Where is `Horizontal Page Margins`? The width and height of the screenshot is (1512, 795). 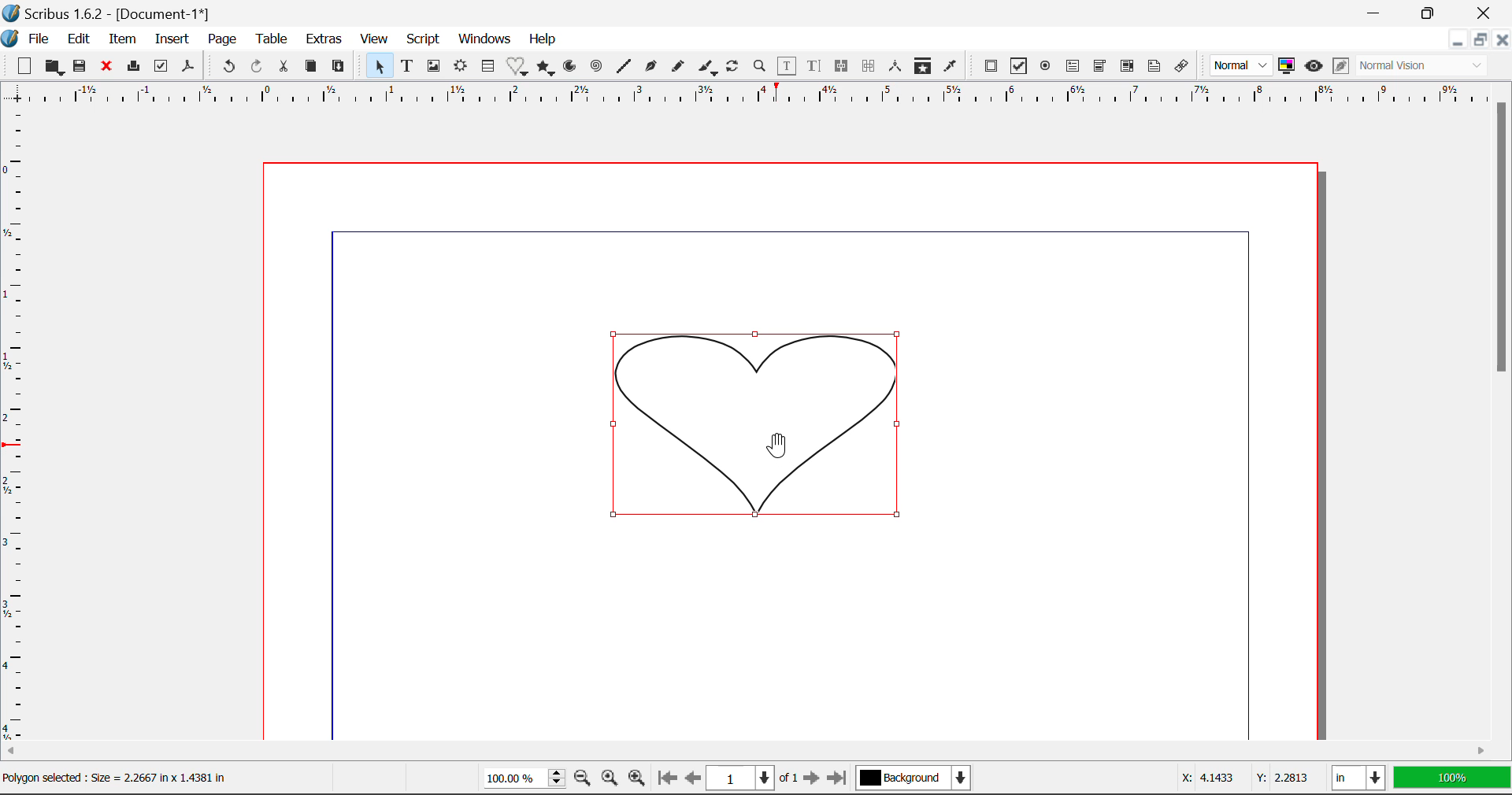 Horizontal Page Margins is located at coordinates (14, 427).